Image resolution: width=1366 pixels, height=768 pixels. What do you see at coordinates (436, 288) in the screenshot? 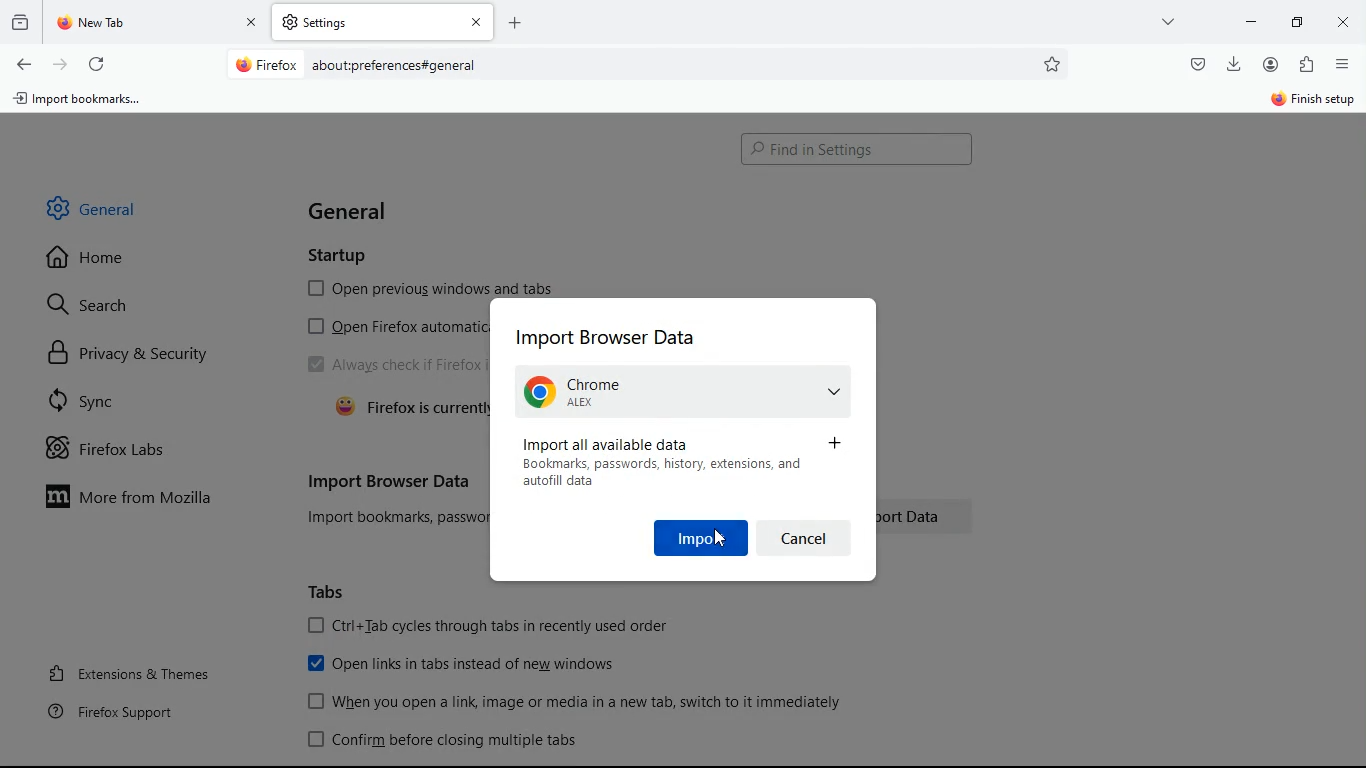
I see `open previous windows and tabs` at bounding box center [436, 288].